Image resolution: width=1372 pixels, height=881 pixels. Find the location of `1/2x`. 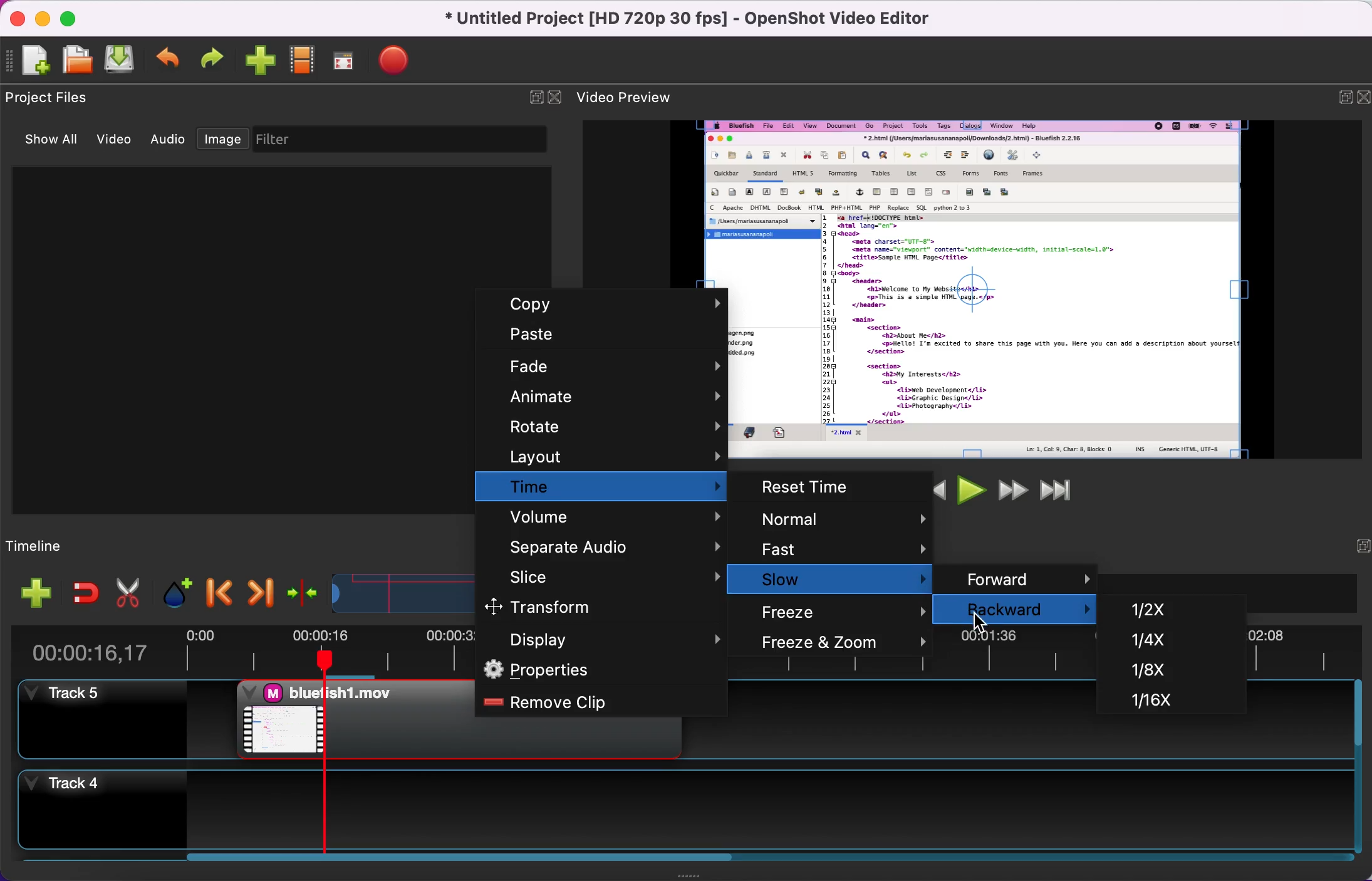

1/2x is located at coordinates (1158, 608).